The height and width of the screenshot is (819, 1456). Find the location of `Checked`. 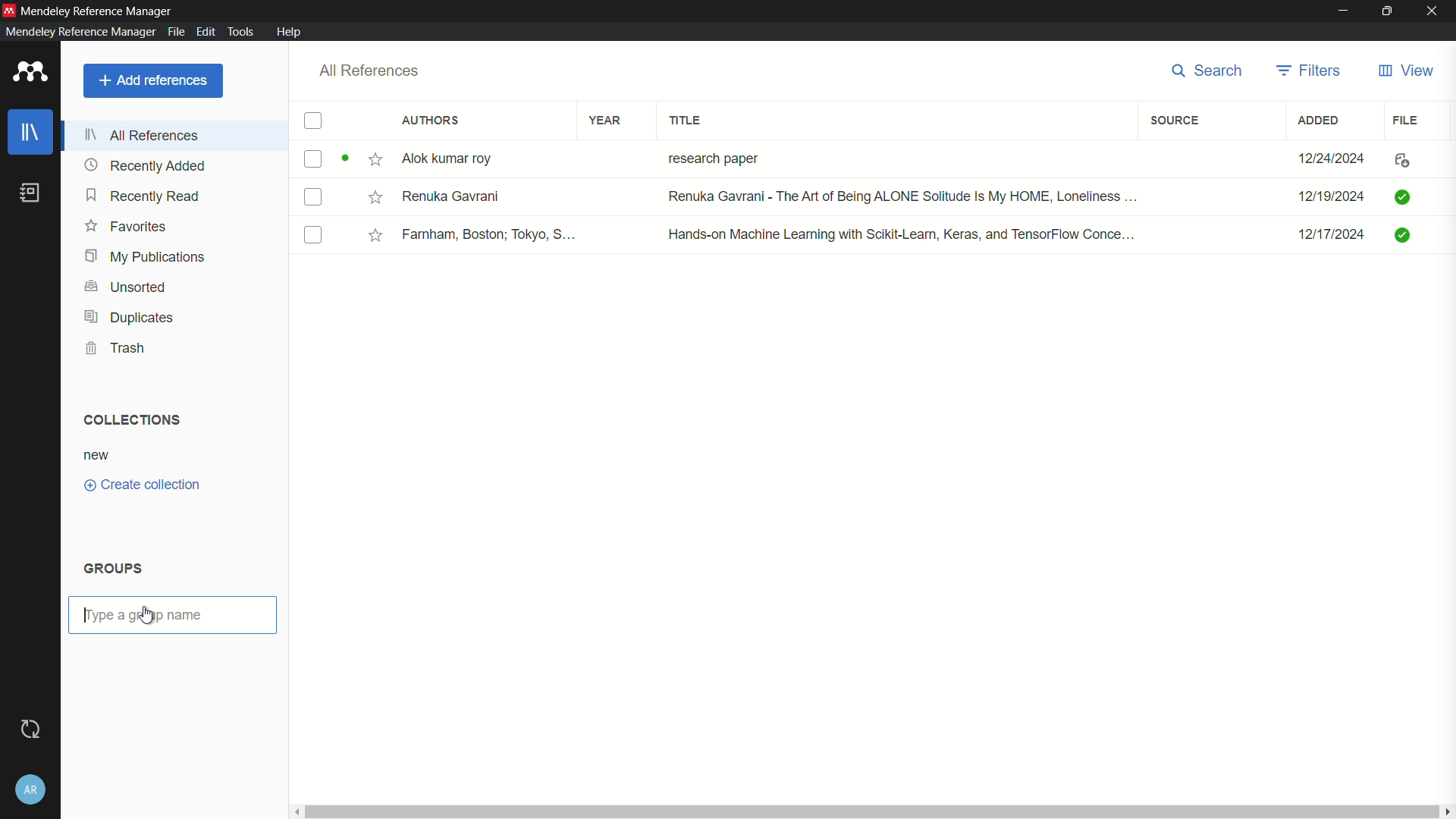

Checked is located at coordinates (1405, 234).